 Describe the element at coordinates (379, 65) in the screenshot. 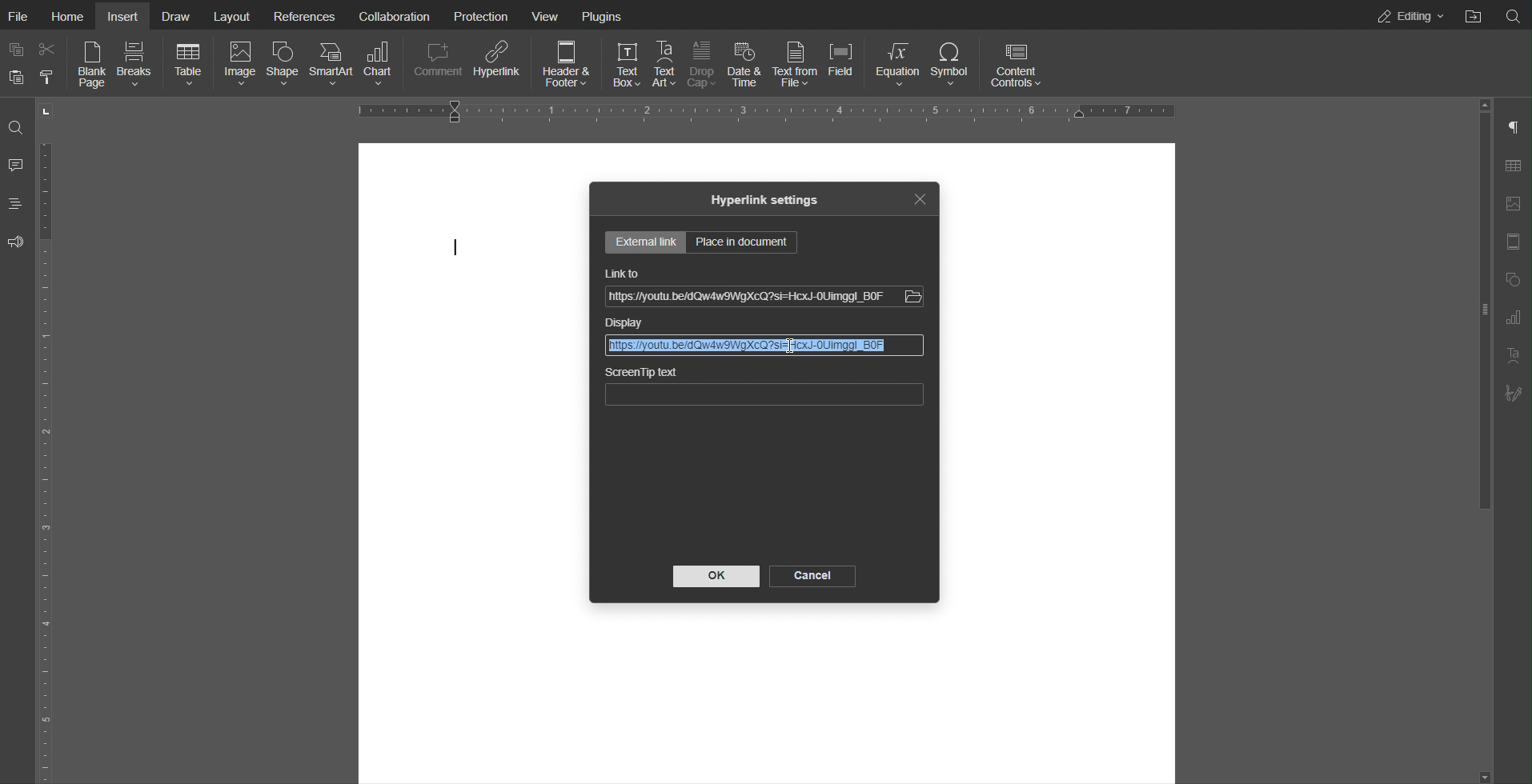

I see `Chart` at that location.